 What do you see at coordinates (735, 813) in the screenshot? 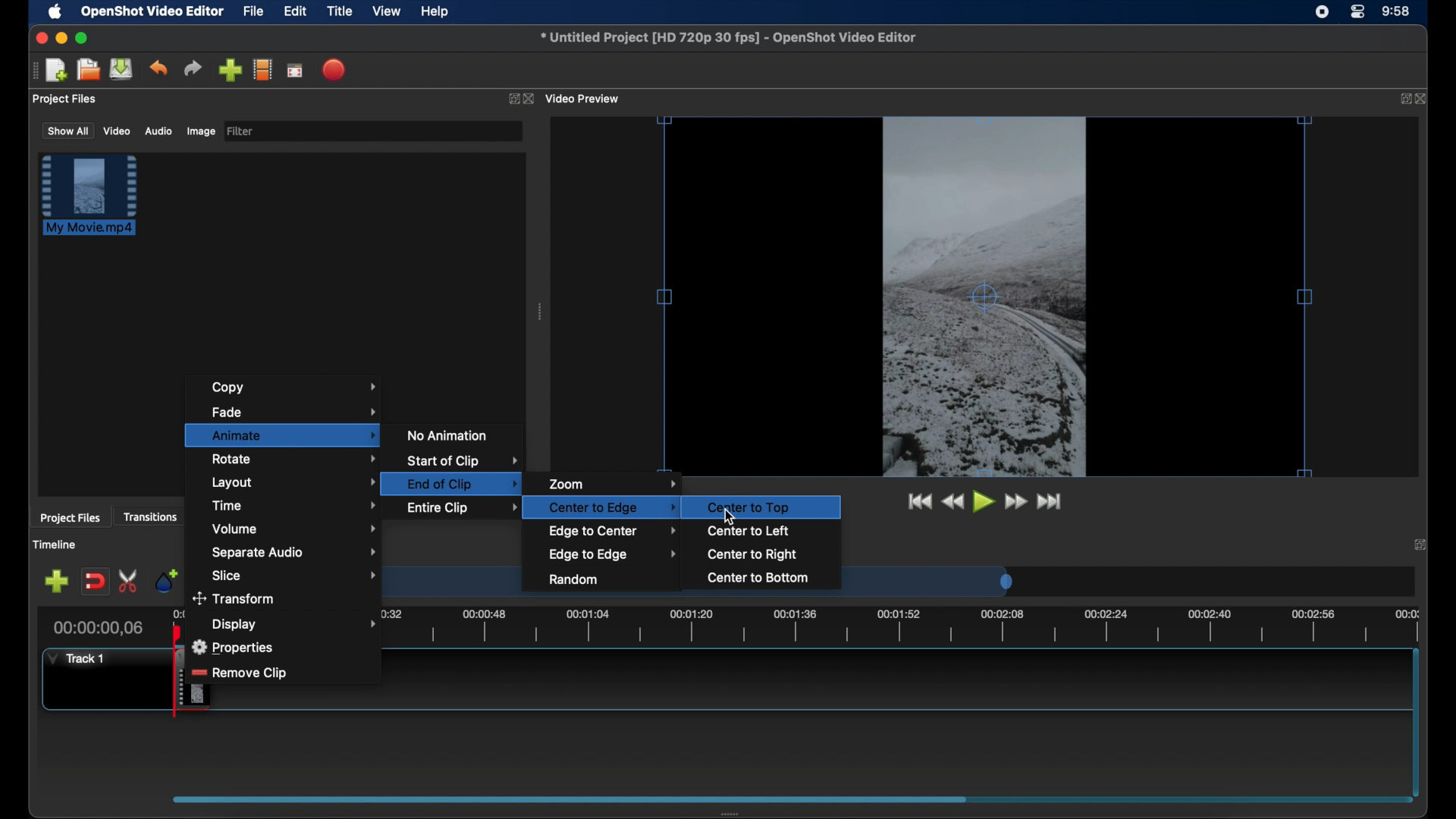
I see `drag handle` at bounding box center [735, 813].